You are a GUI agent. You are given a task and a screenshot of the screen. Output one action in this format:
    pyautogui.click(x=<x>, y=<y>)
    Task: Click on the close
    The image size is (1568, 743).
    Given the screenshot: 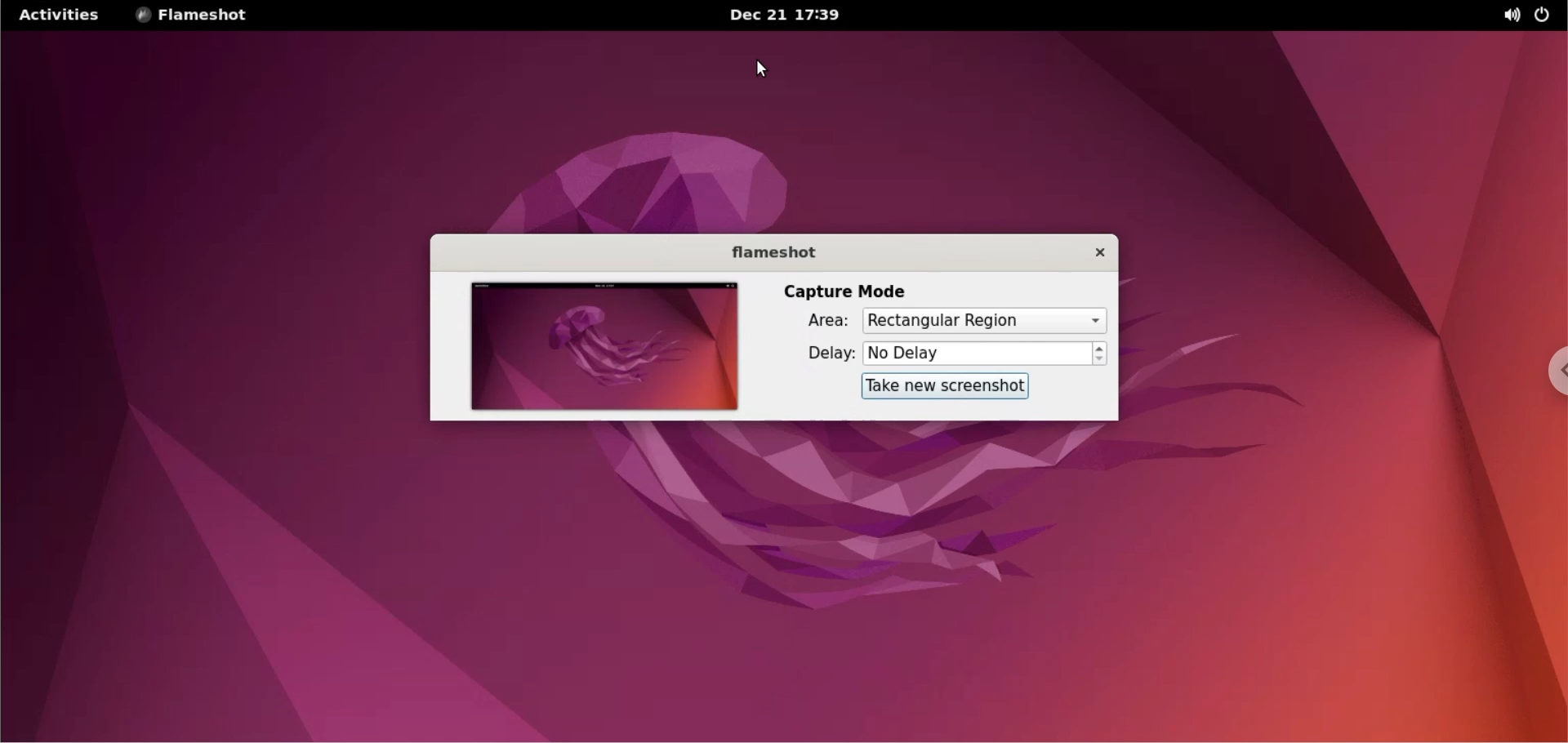 What is the action you would take?
    pyautogui.click(x=1091, y=251)
    